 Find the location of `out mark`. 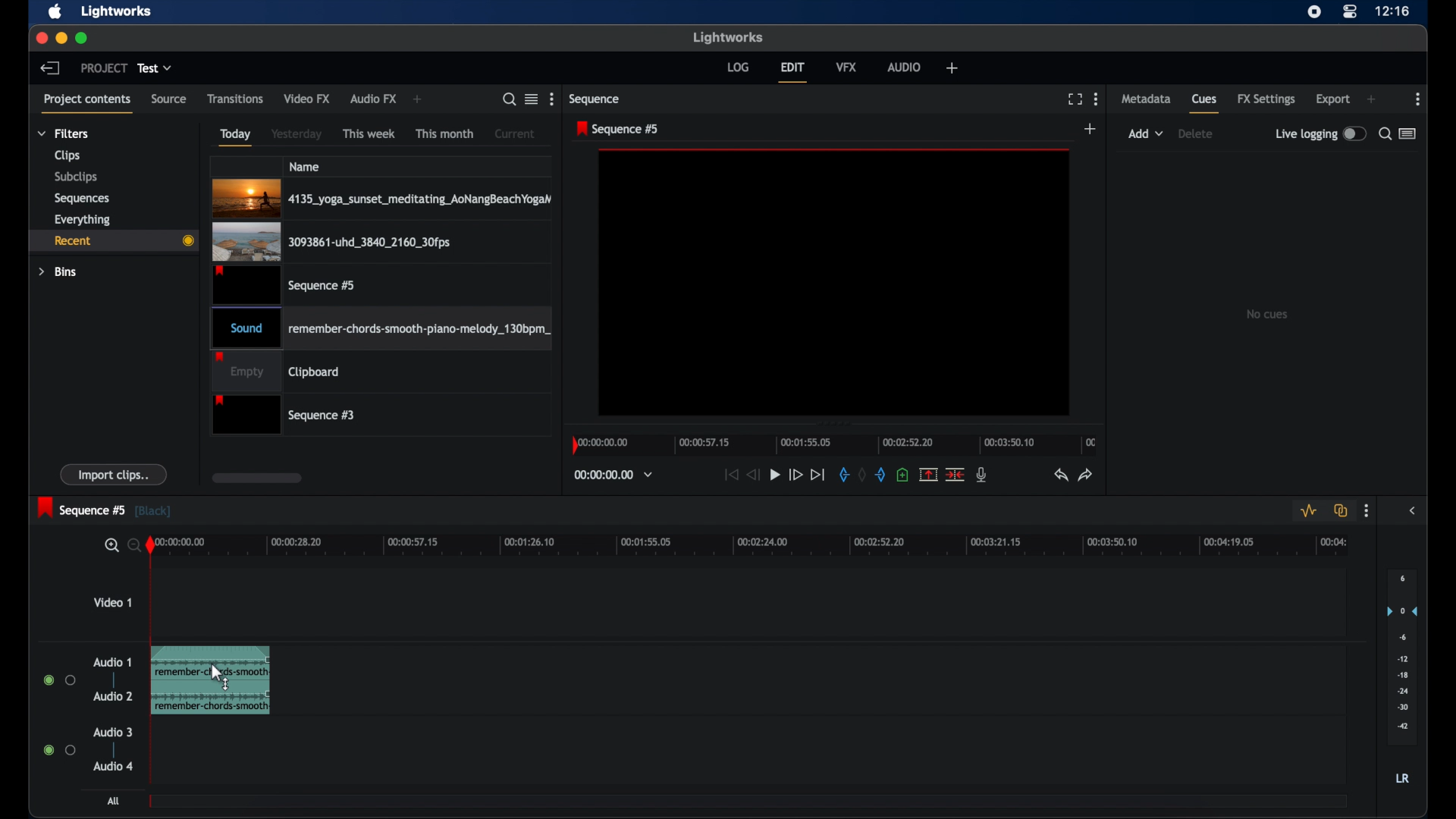

out mark is located at coordinates (881, 475).